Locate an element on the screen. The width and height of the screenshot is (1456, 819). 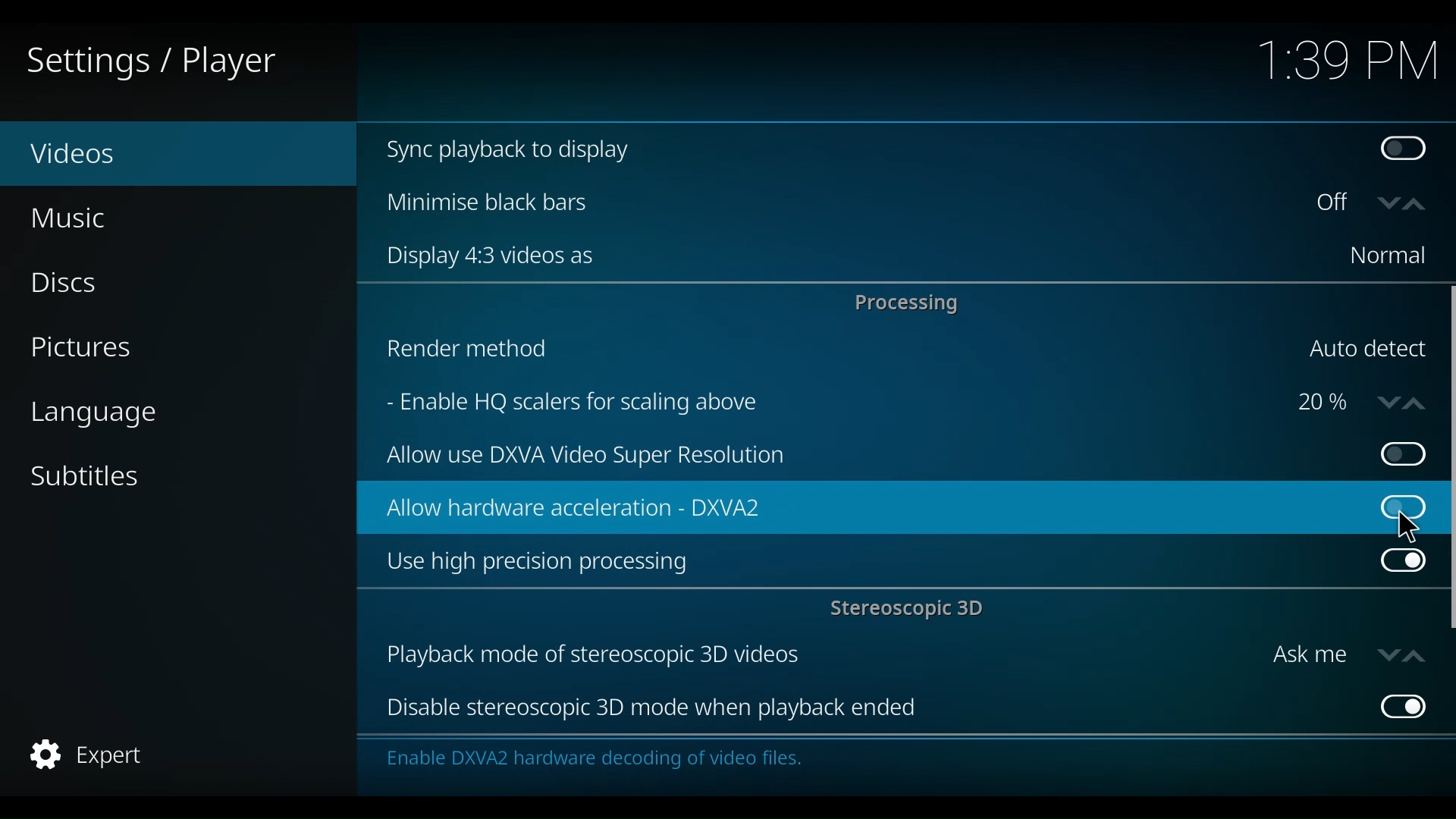
Subtitles is located at coordinates (86, 475).